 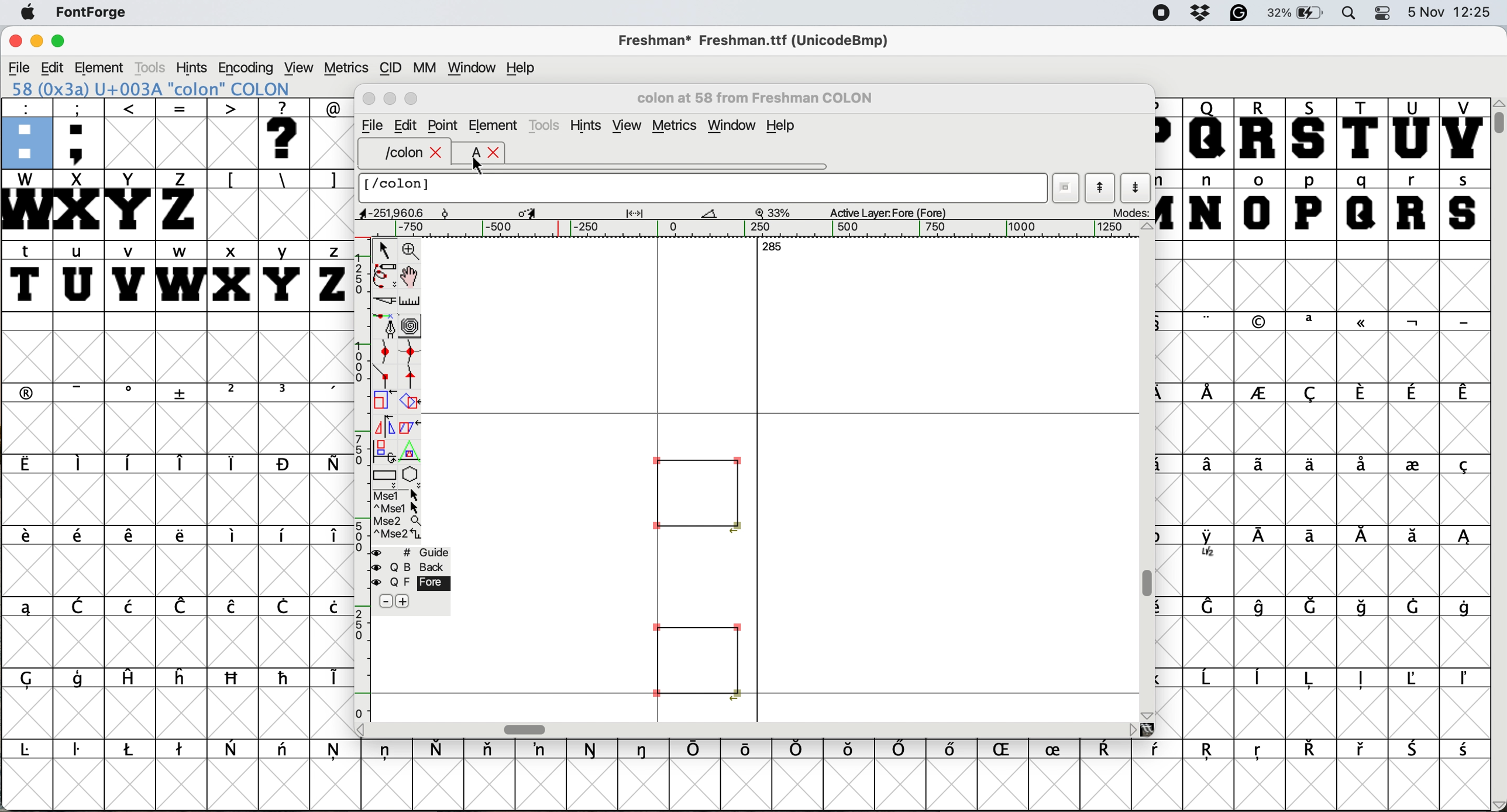 What do you see at coordinates (1206, 204) in the screenshot?
I see `n` at bounding box center [1206, 204].